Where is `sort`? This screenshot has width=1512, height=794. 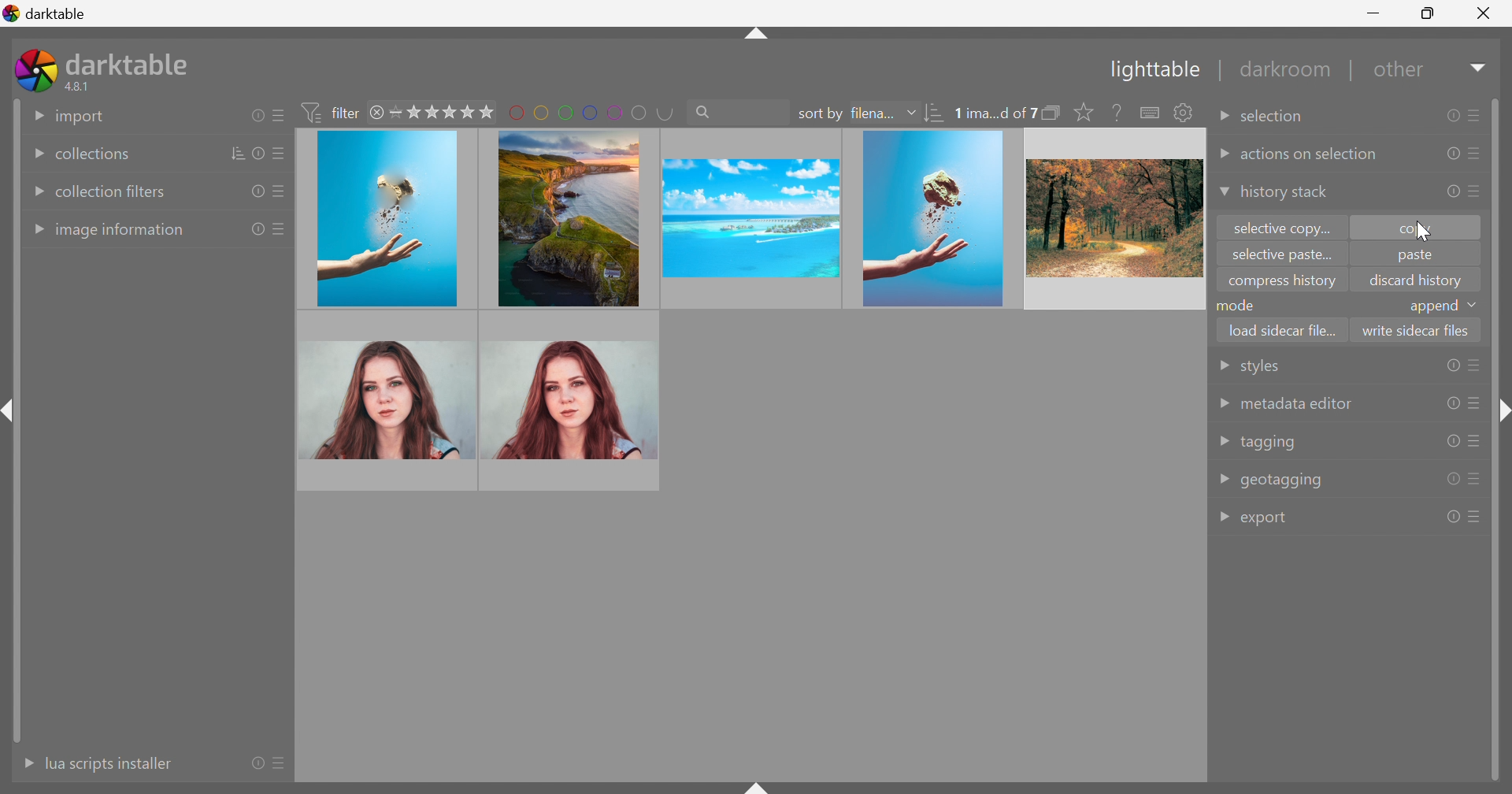 sort is located at coordinates (935, 115).